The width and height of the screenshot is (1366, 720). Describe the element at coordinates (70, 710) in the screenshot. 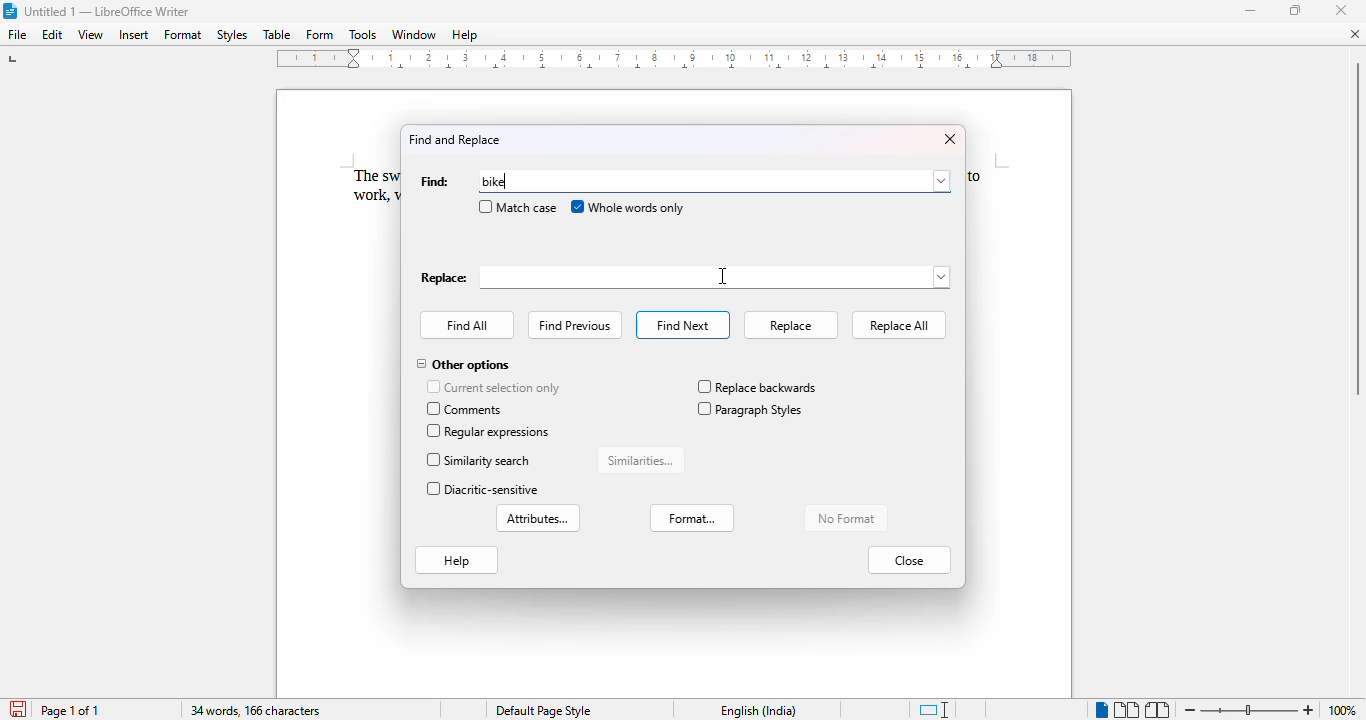

I see `page 1 of 1` at that location.